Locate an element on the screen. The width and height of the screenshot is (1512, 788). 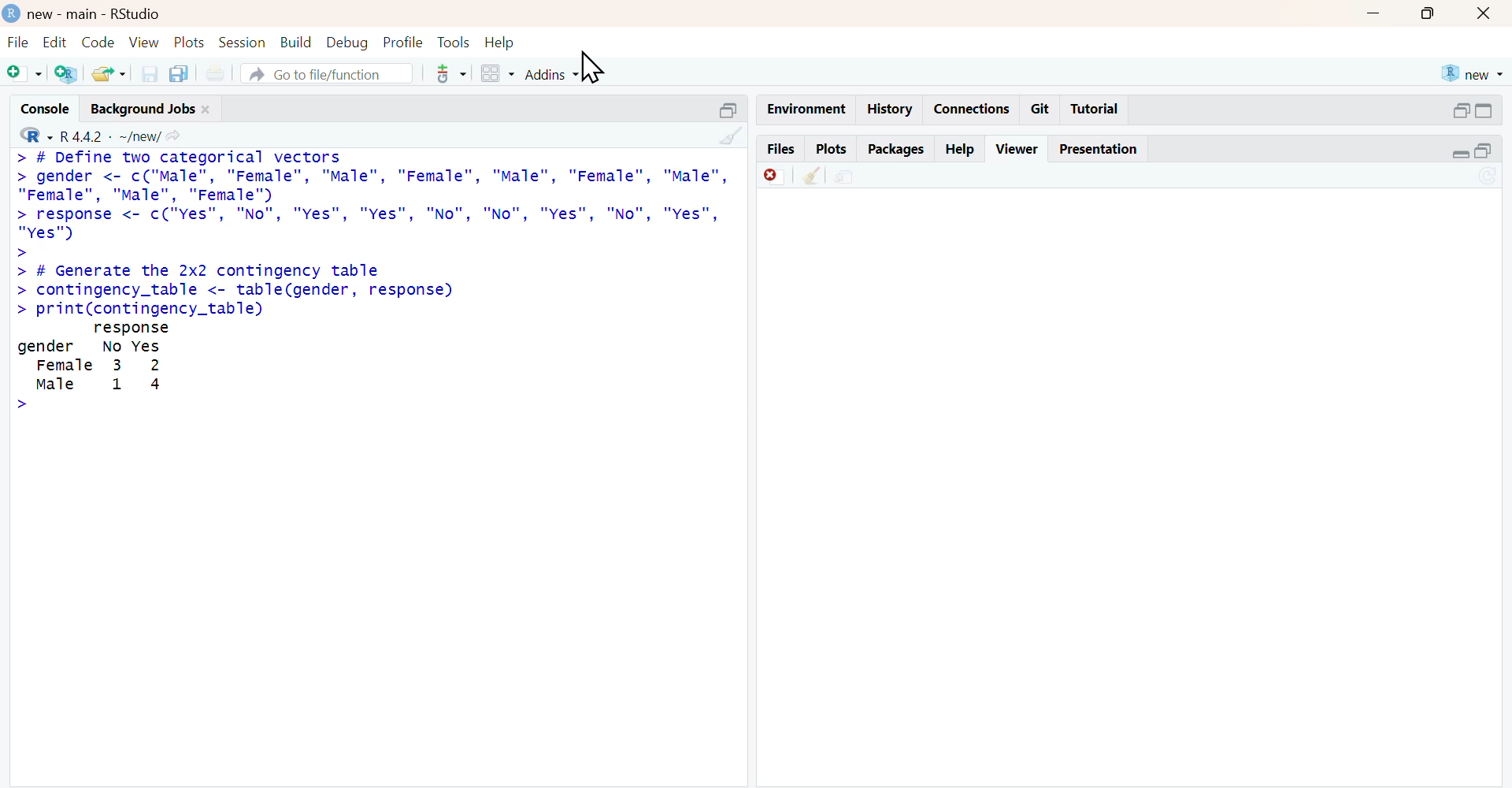
discard is located at coordinates (775, 177).